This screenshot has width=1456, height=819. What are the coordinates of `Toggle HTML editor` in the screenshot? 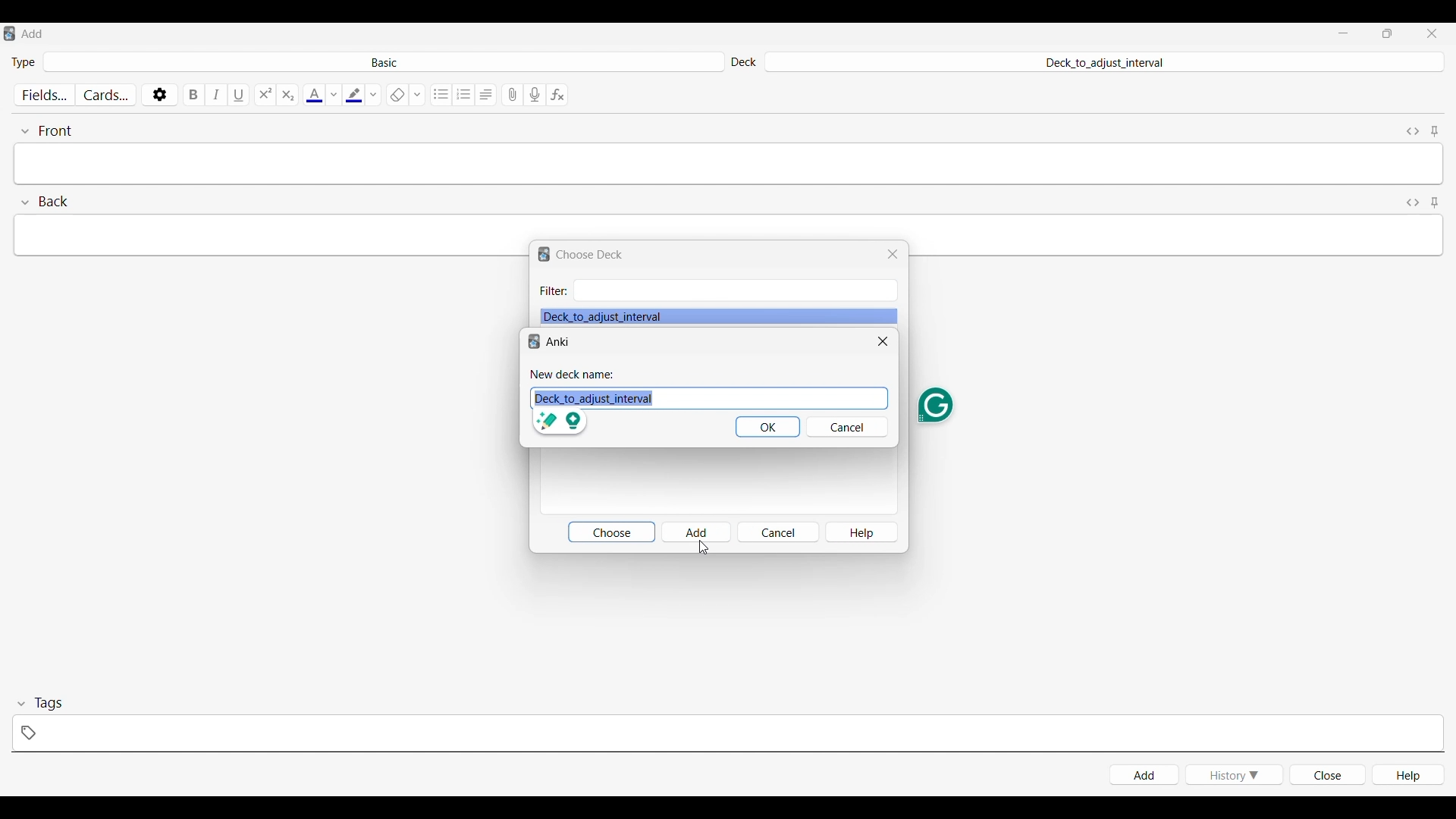 It's located at (1414, 131).